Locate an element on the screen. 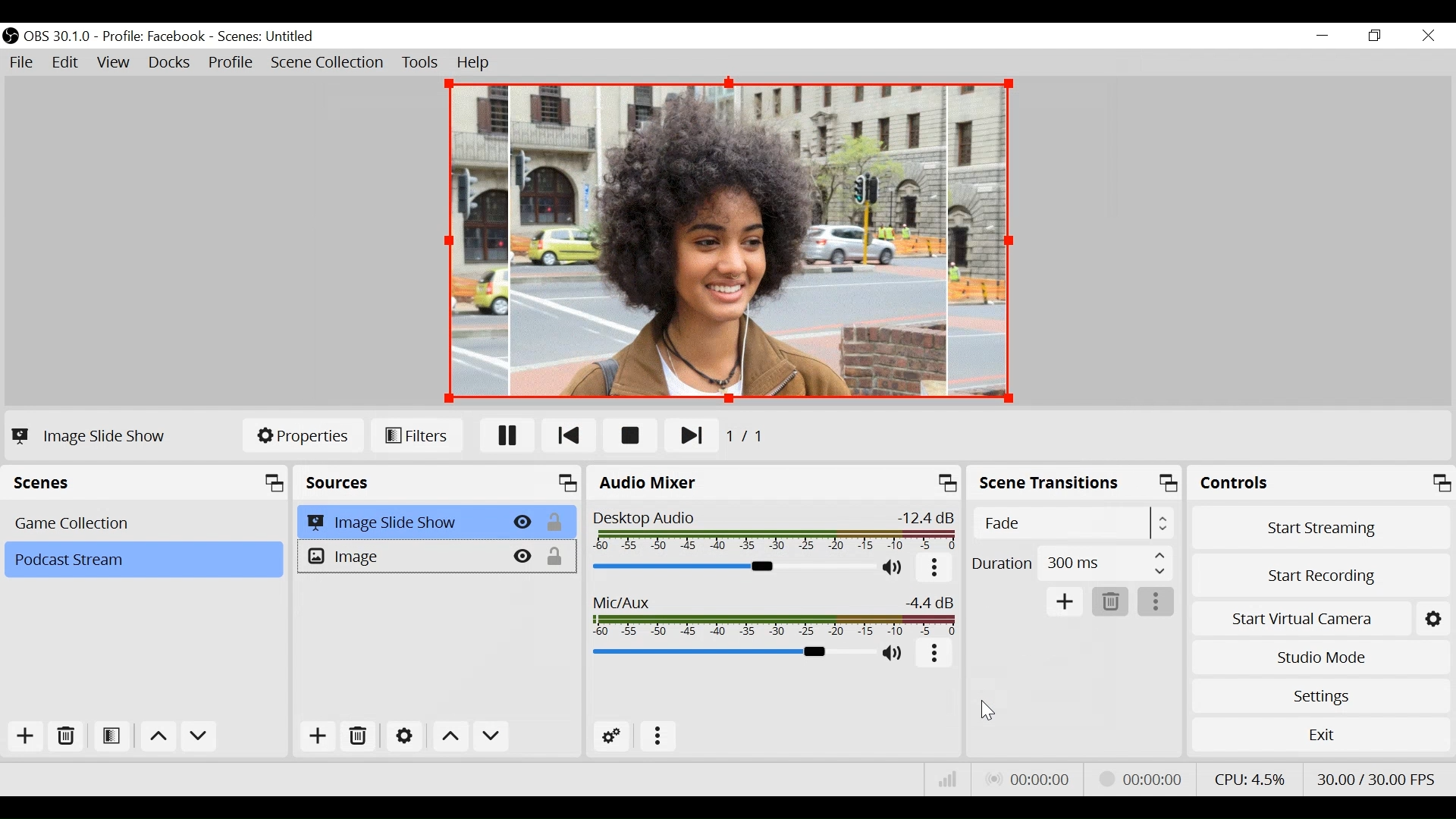 This screenshot has width=1456, height=819. Docks is located at coordinates (171, 64).